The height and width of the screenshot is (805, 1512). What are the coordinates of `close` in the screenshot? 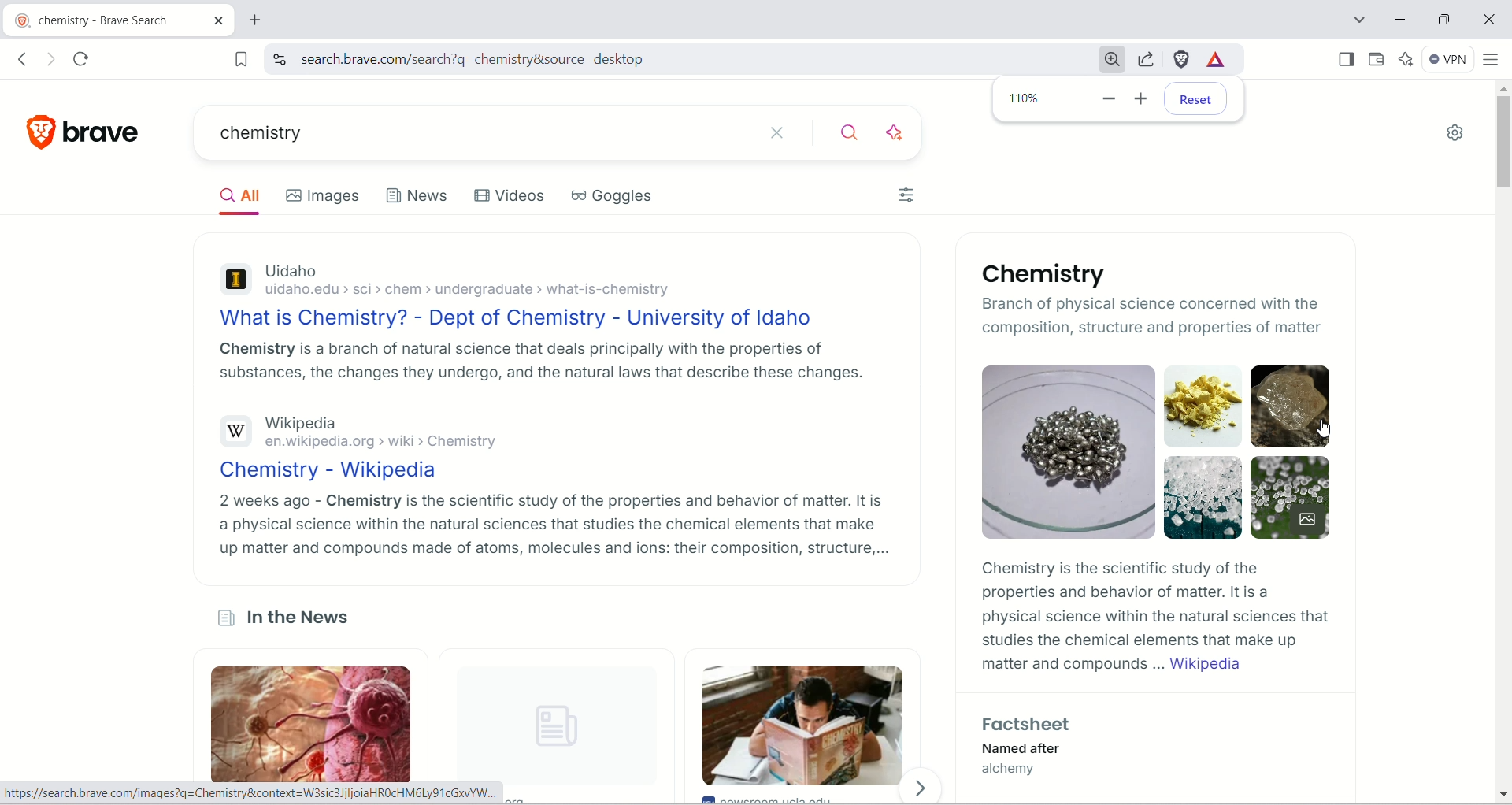 It's located at (777, 133).